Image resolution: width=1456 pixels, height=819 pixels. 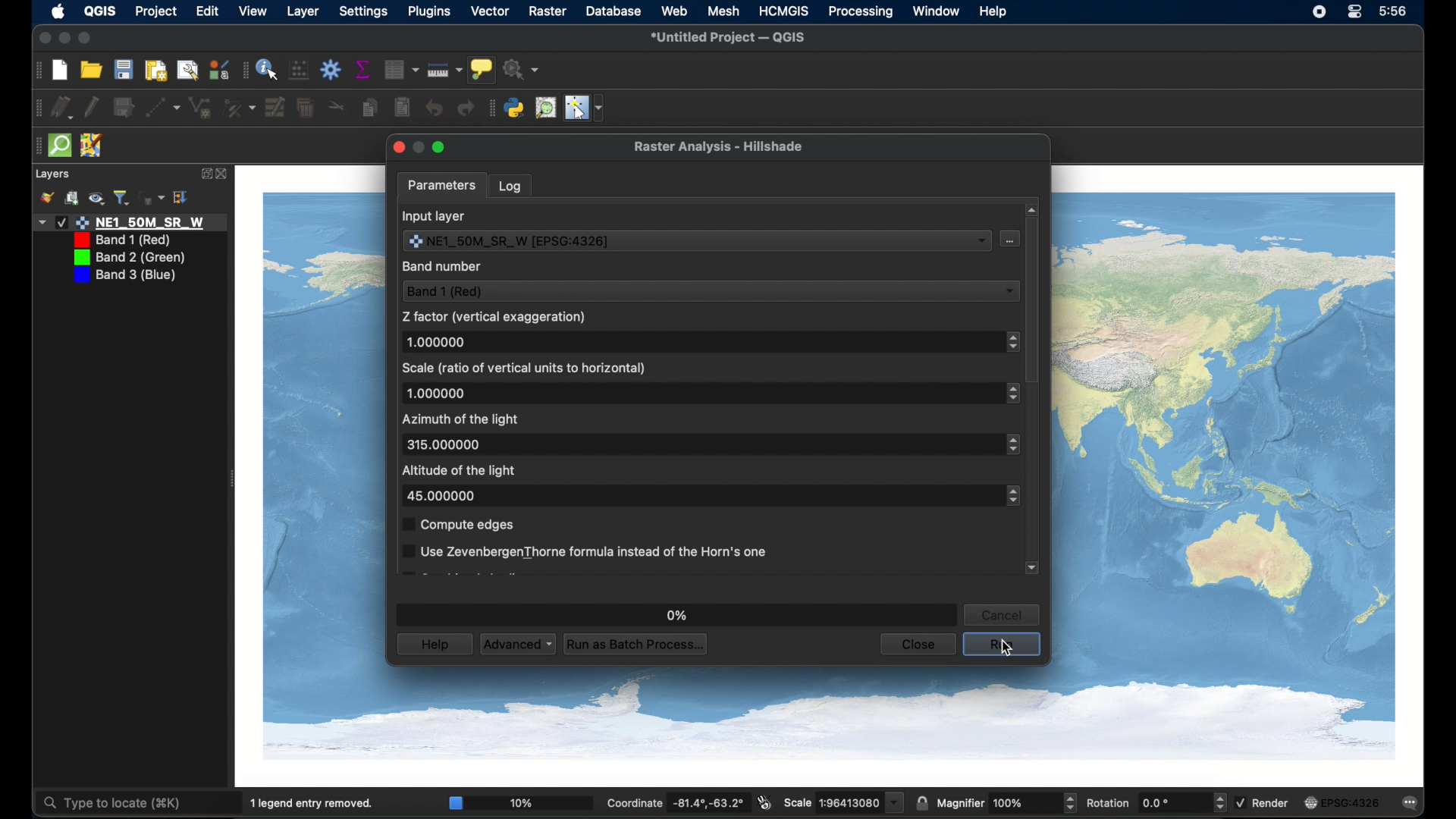 I want to click on layer1, so click(x=130, y=223).